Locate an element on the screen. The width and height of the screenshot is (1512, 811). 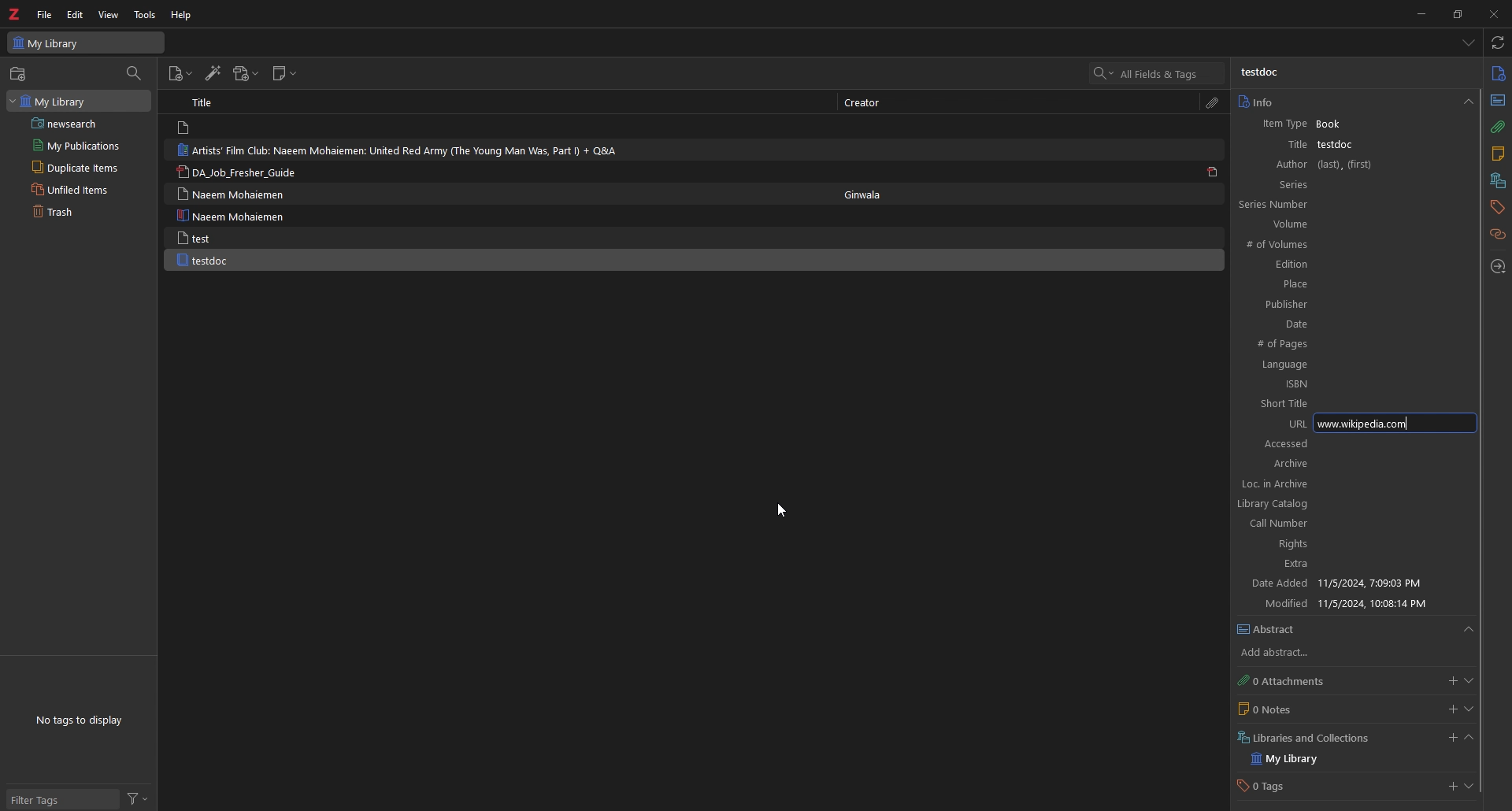
abstract is located at coordinates (1495, 101).